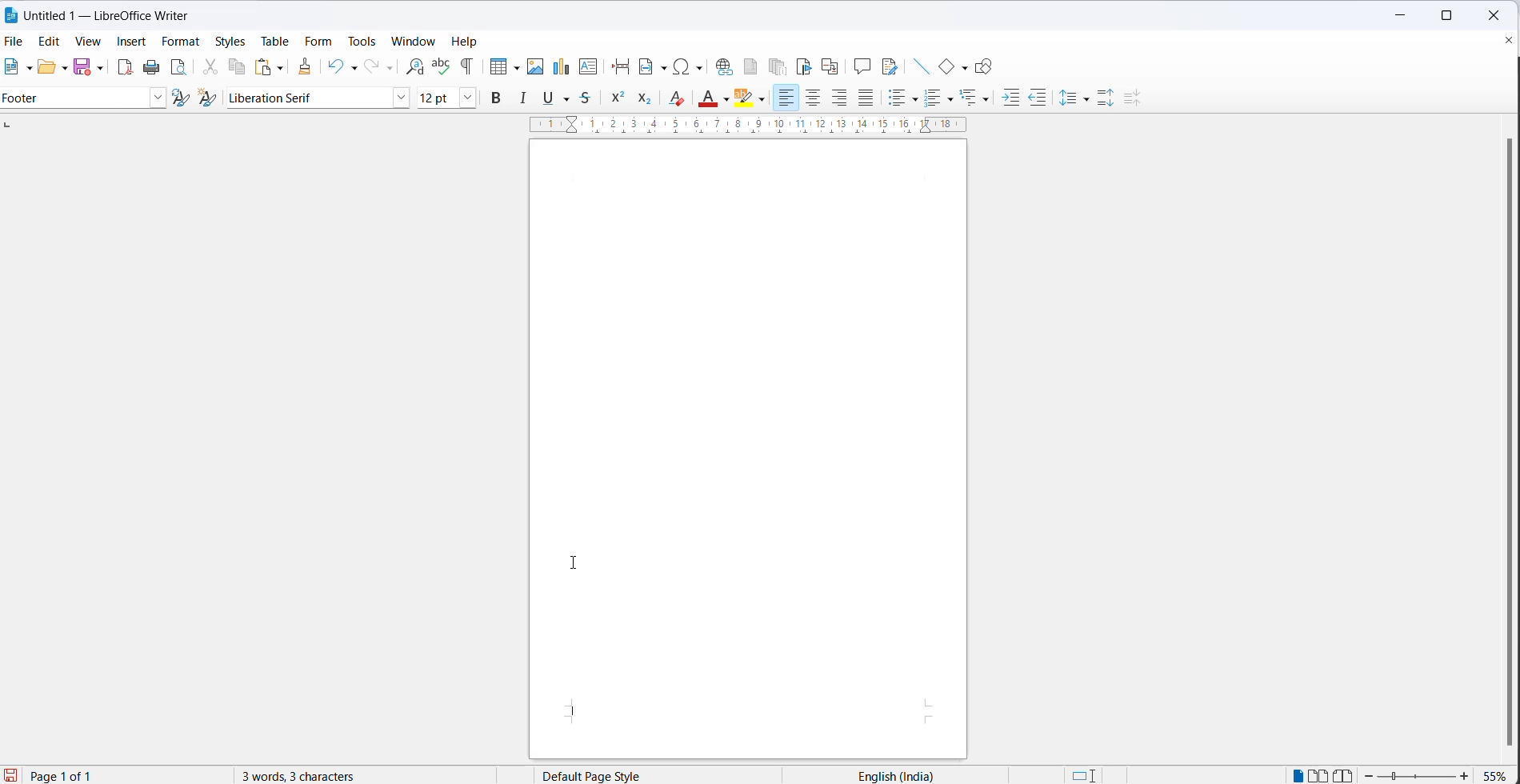  What do you see at coordinates (645, 98) in the screenshot?
I see `subscript` at bounding box center [645, 98].